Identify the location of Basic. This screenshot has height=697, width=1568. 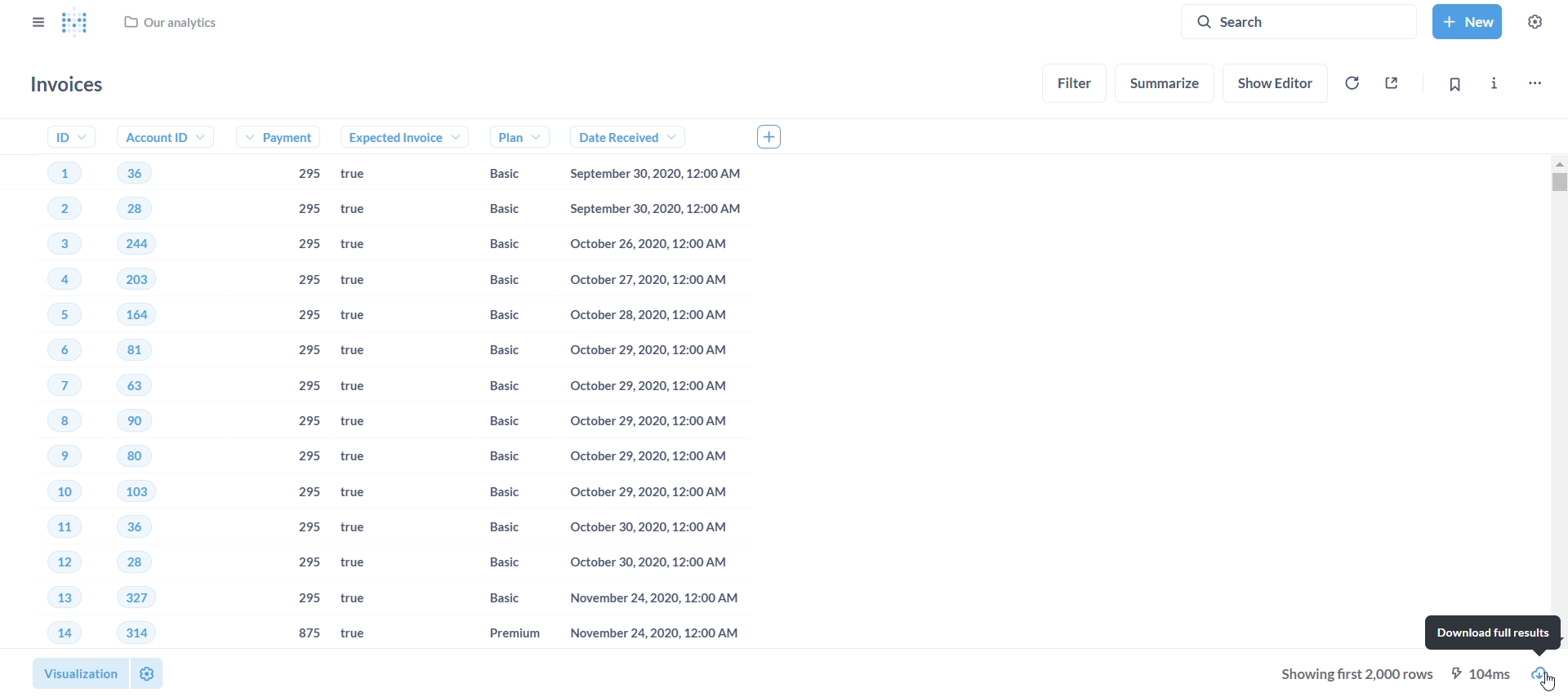
(497, 208).